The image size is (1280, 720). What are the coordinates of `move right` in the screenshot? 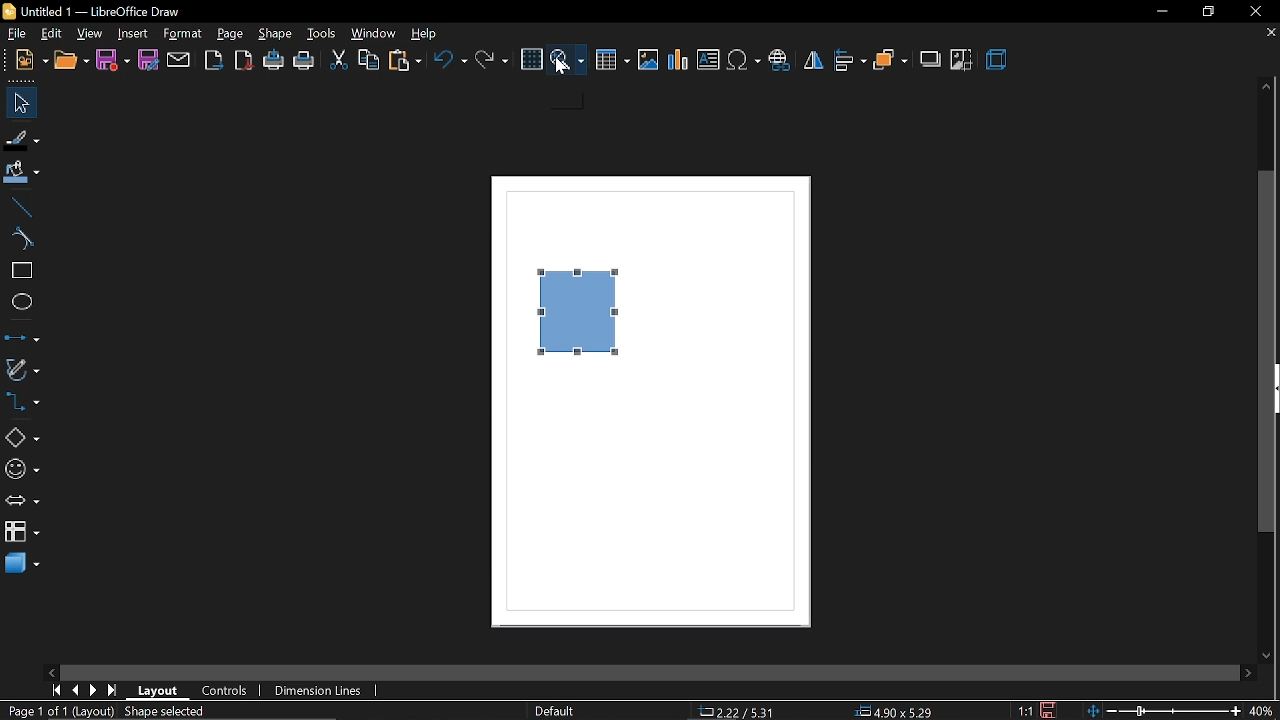 It's located at (1248, 675).